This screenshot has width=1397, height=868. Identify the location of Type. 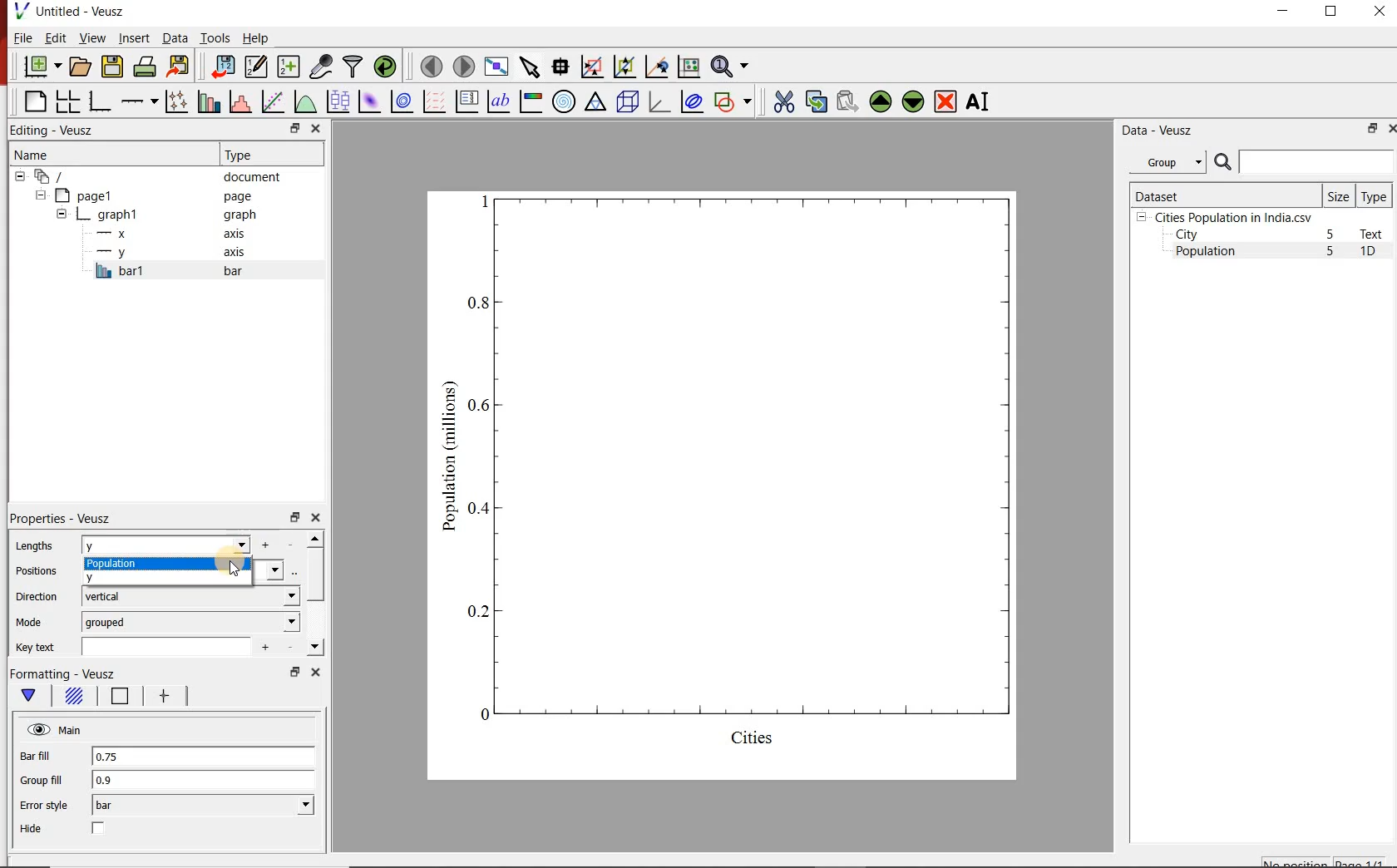
(269, 155).